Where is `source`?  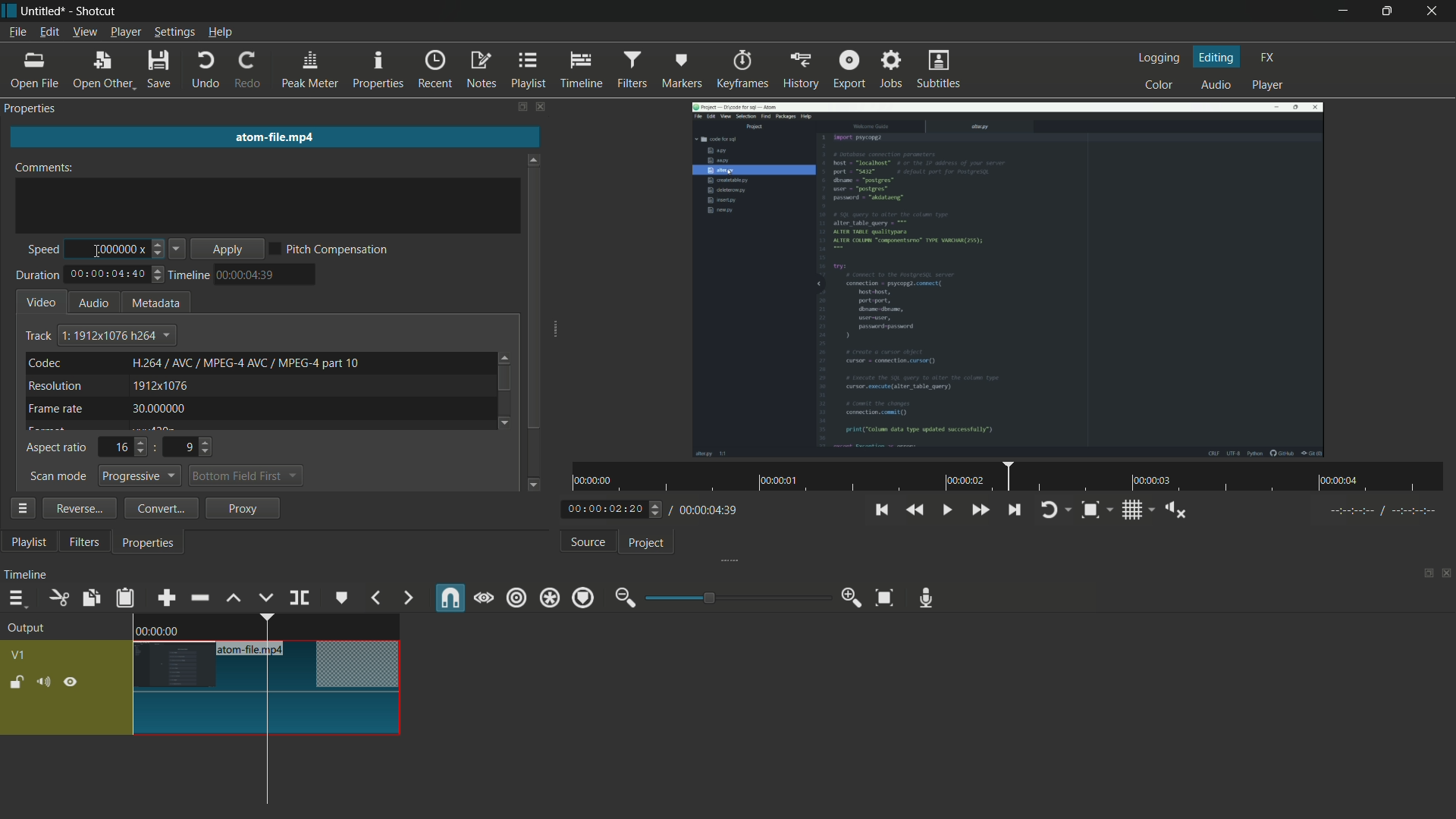 source is located at coordinates (589, 542).